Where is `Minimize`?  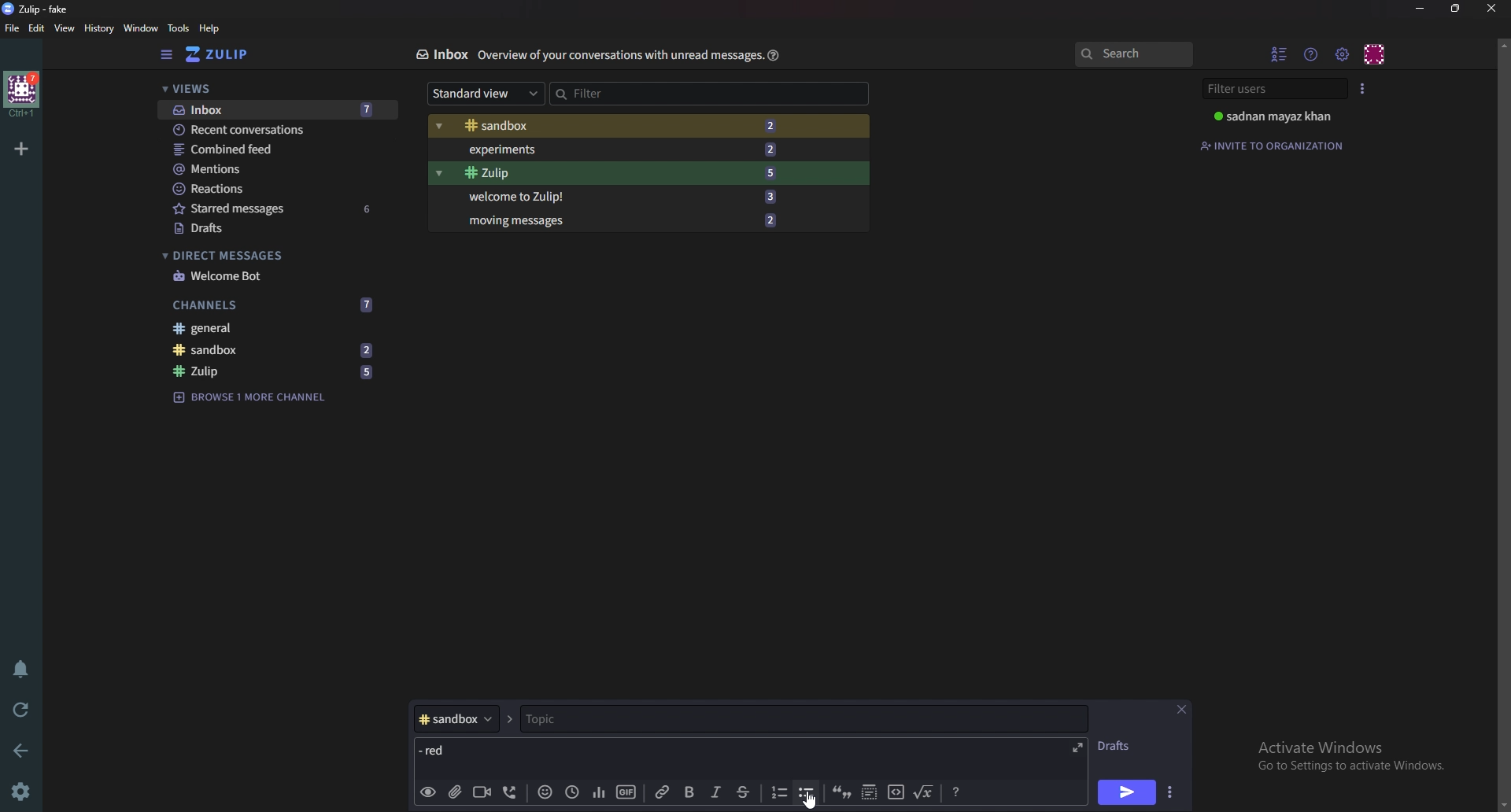 Minimize is located at coordinates (1422, 9).